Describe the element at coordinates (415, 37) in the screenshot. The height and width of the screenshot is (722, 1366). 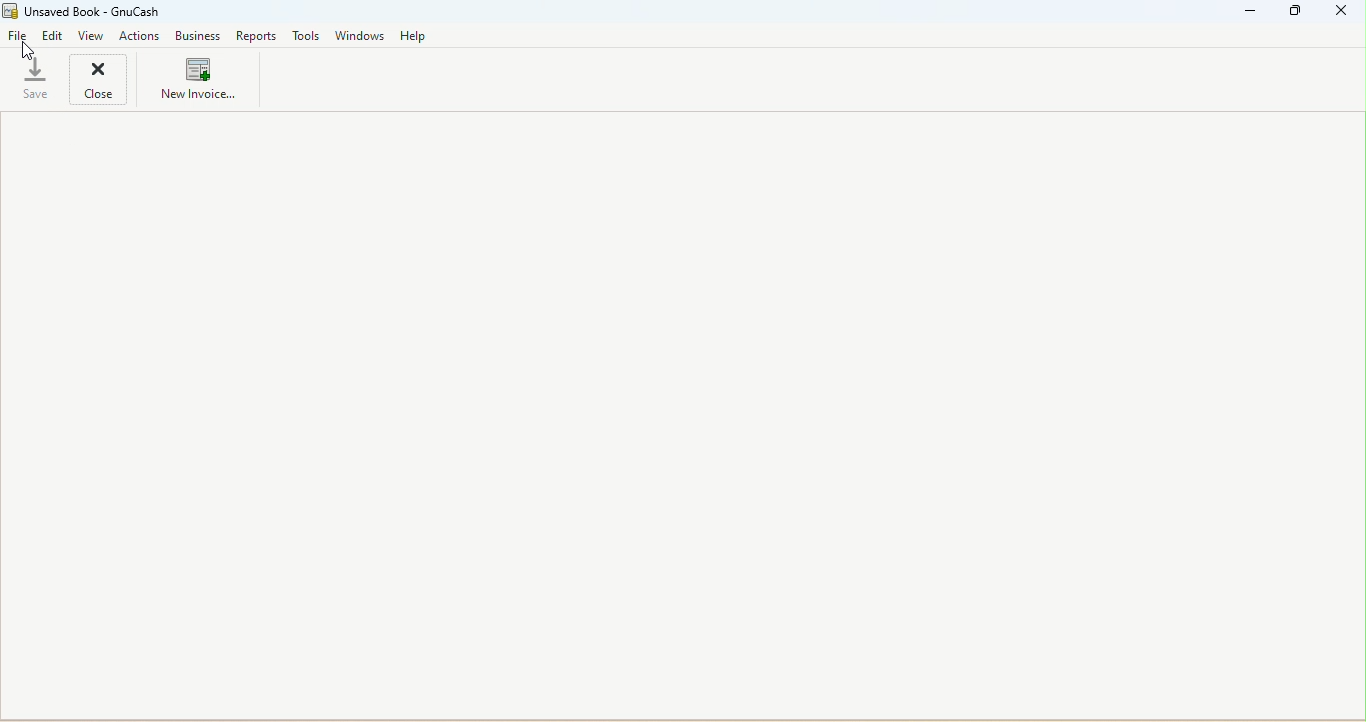
I see `Help` at that location.